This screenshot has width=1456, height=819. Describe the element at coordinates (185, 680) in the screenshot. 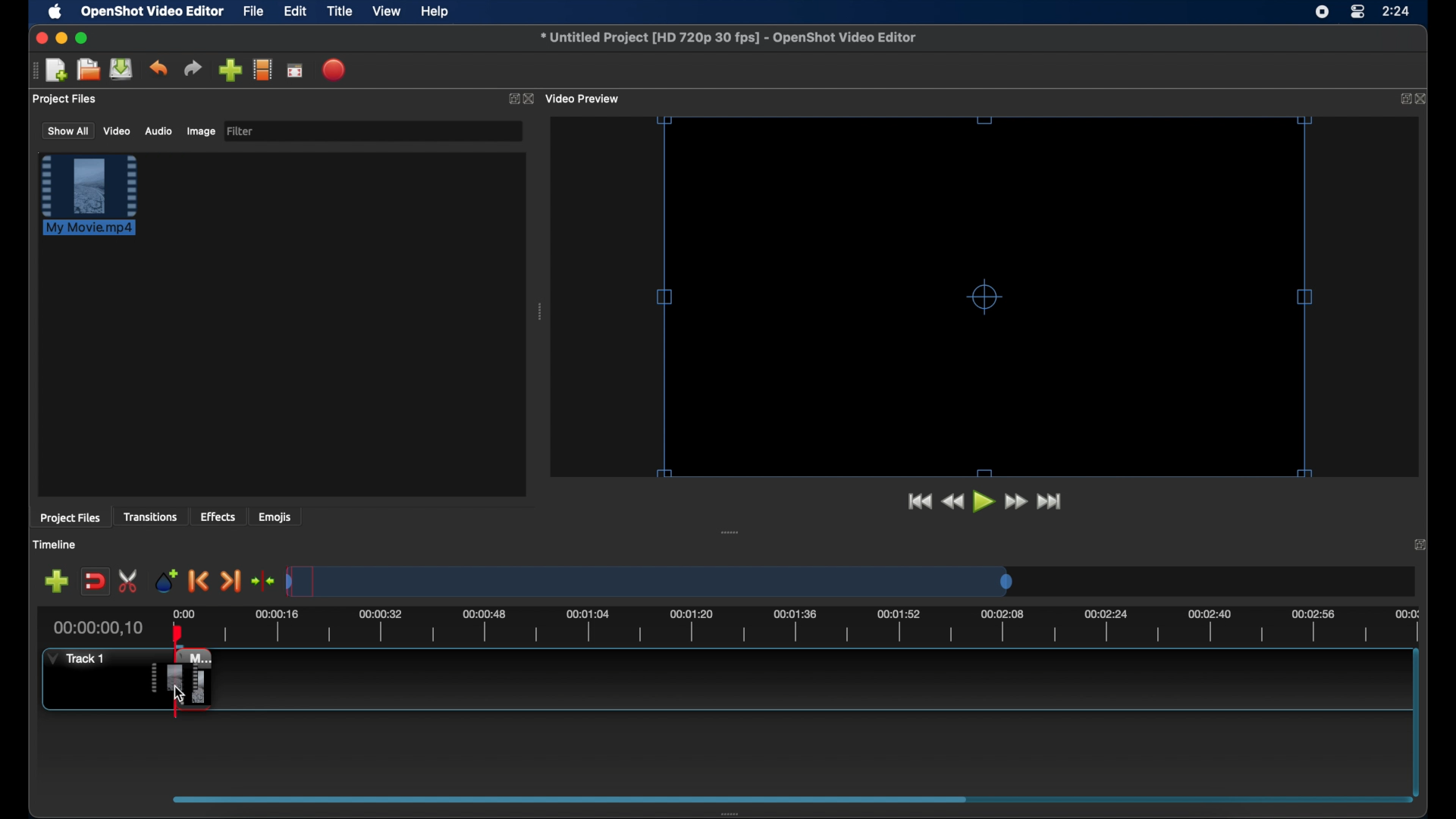

I see `drag  cursor` at that location.